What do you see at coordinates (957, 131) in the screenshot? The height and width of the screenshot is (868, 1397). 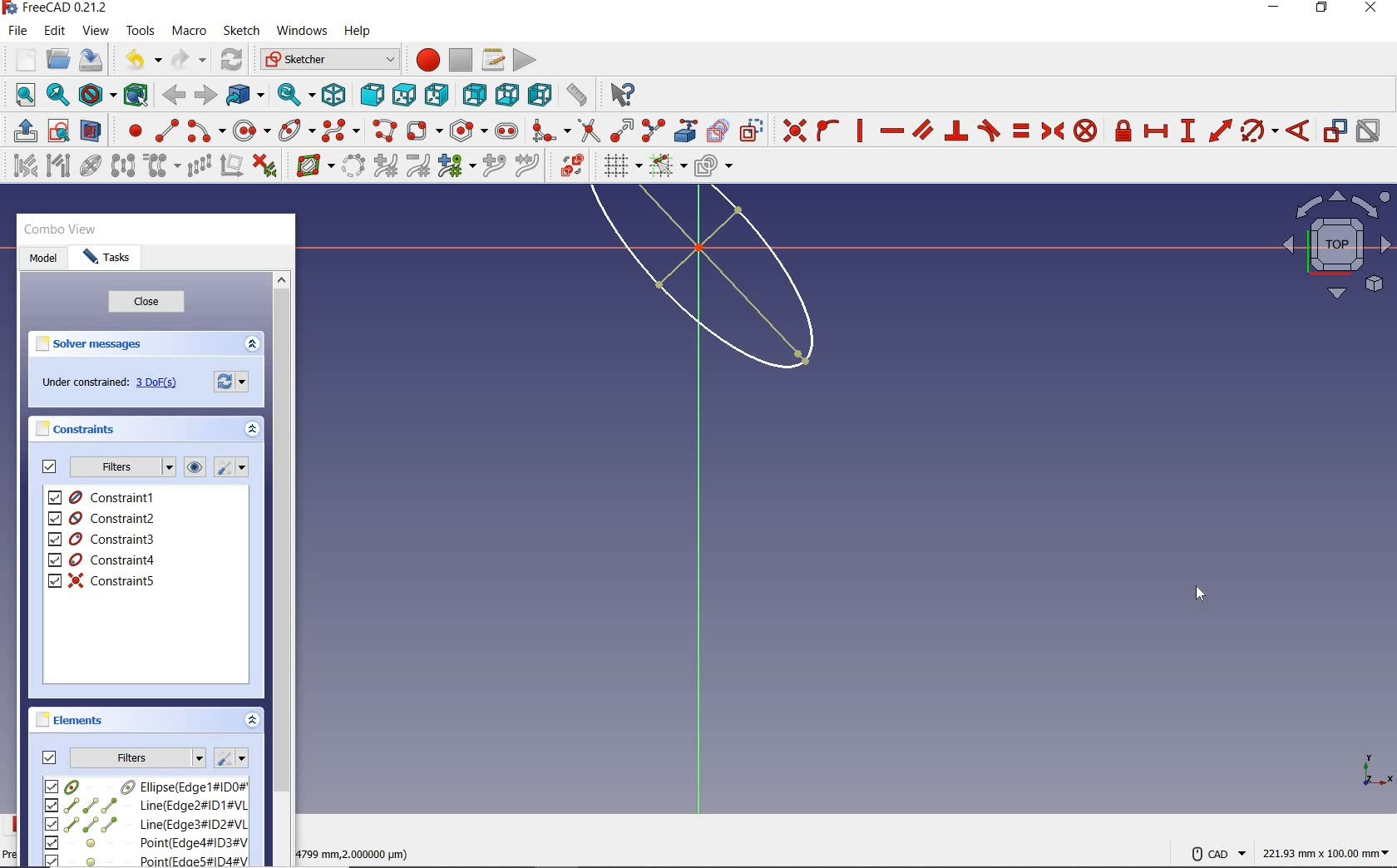 I see `constrain perpendicular` at bounding box center [957, 131].